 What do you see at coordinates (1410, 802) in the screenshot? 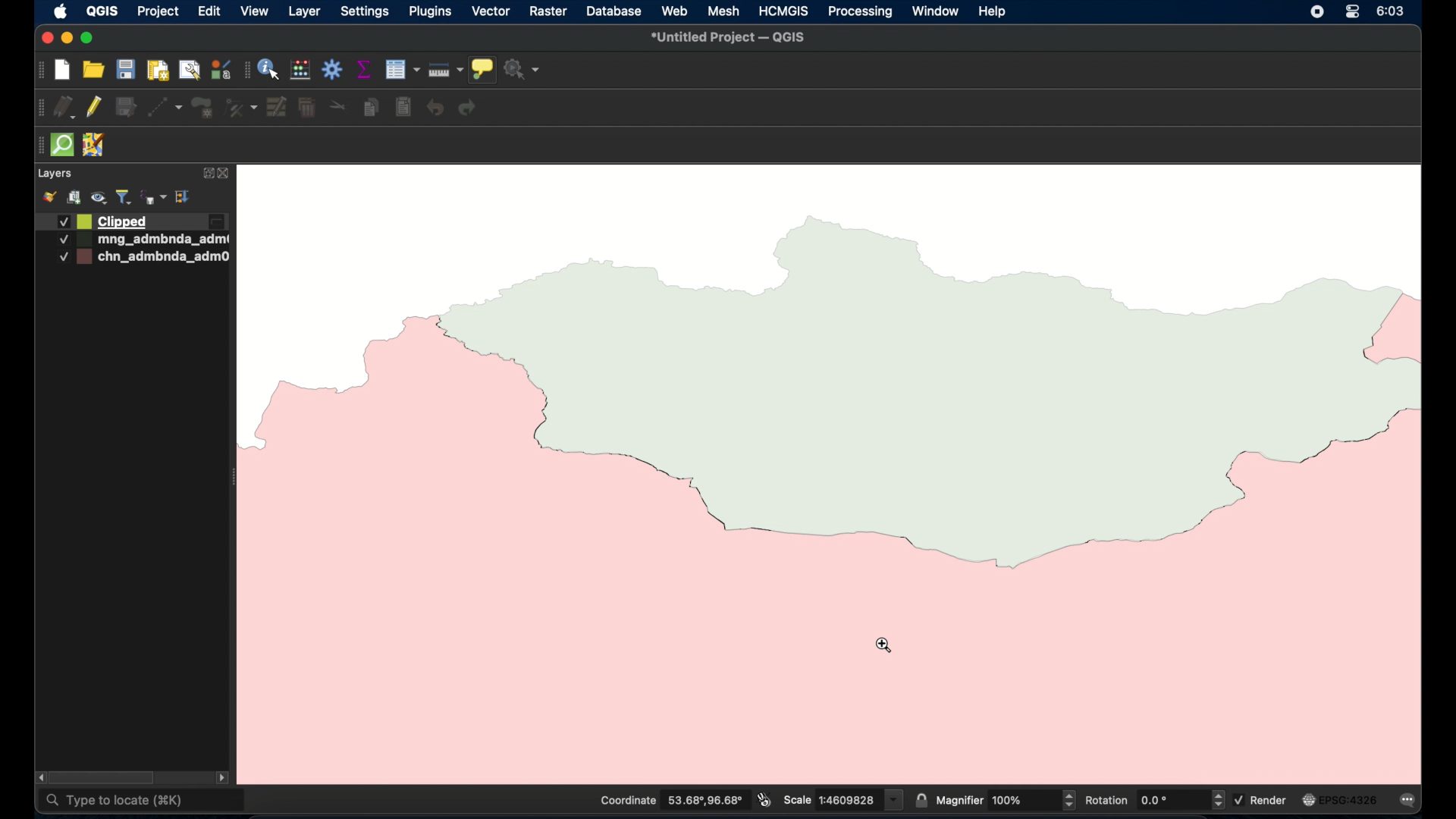
I see `messages` at bounding box center [1410, 802].